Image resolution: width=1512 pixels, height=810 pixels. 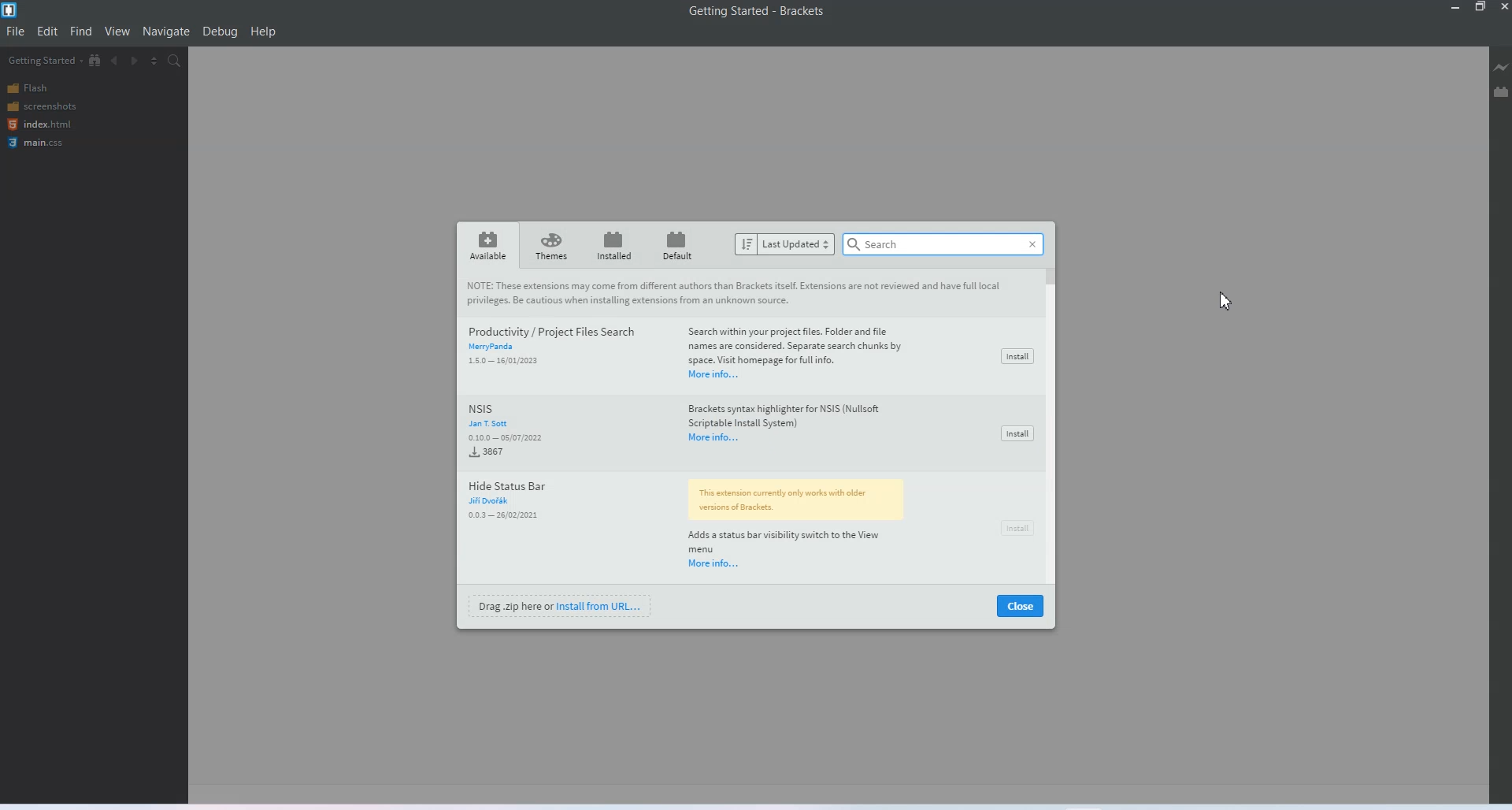 What do you see at coordinates (39, 89) in the screenshot?
I see `Flash` at bounding box center [39, 89].